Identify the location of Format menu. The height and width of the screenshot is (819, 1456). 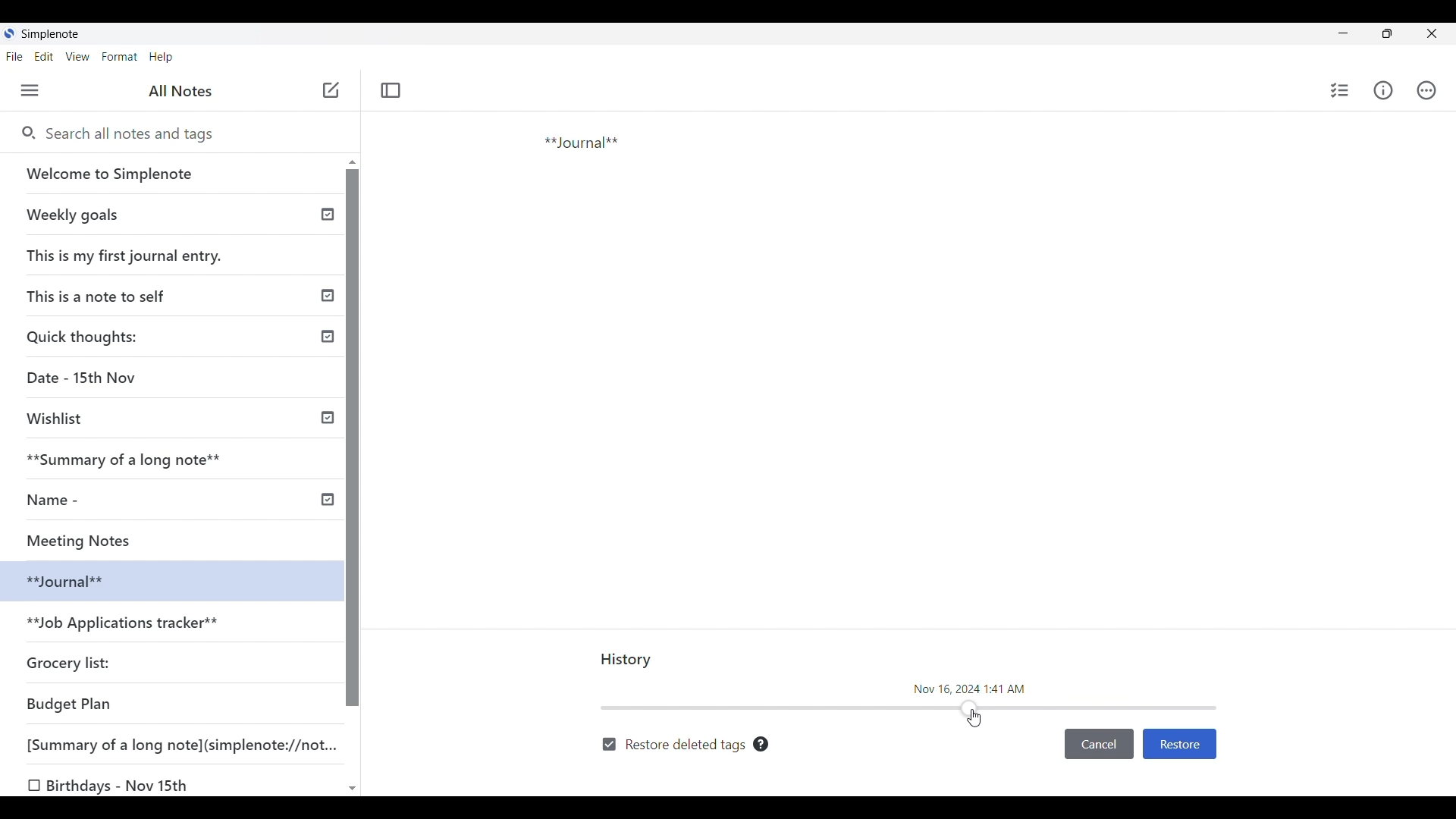
(121, 57).